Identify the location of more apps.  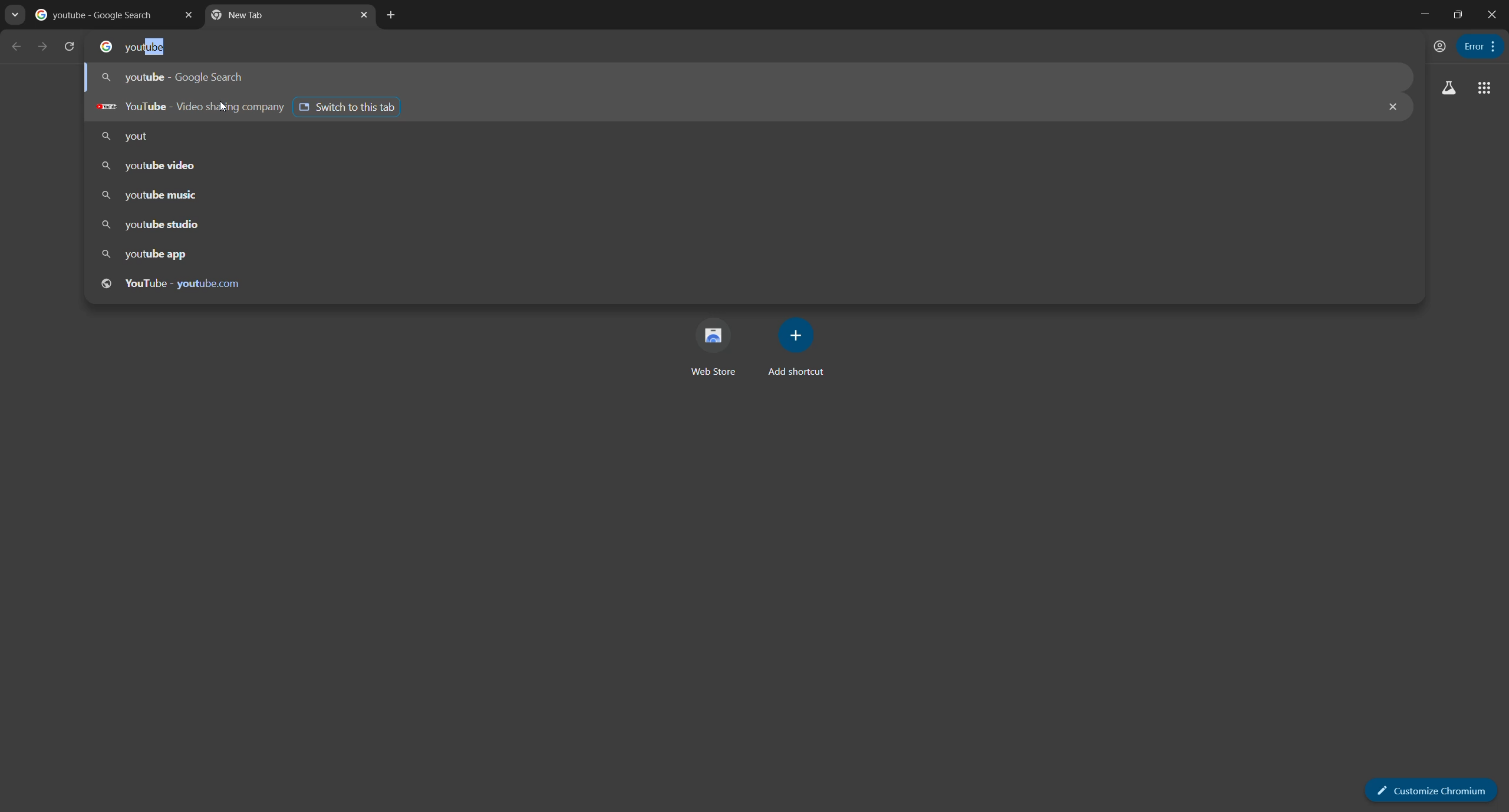
(1482, 89).